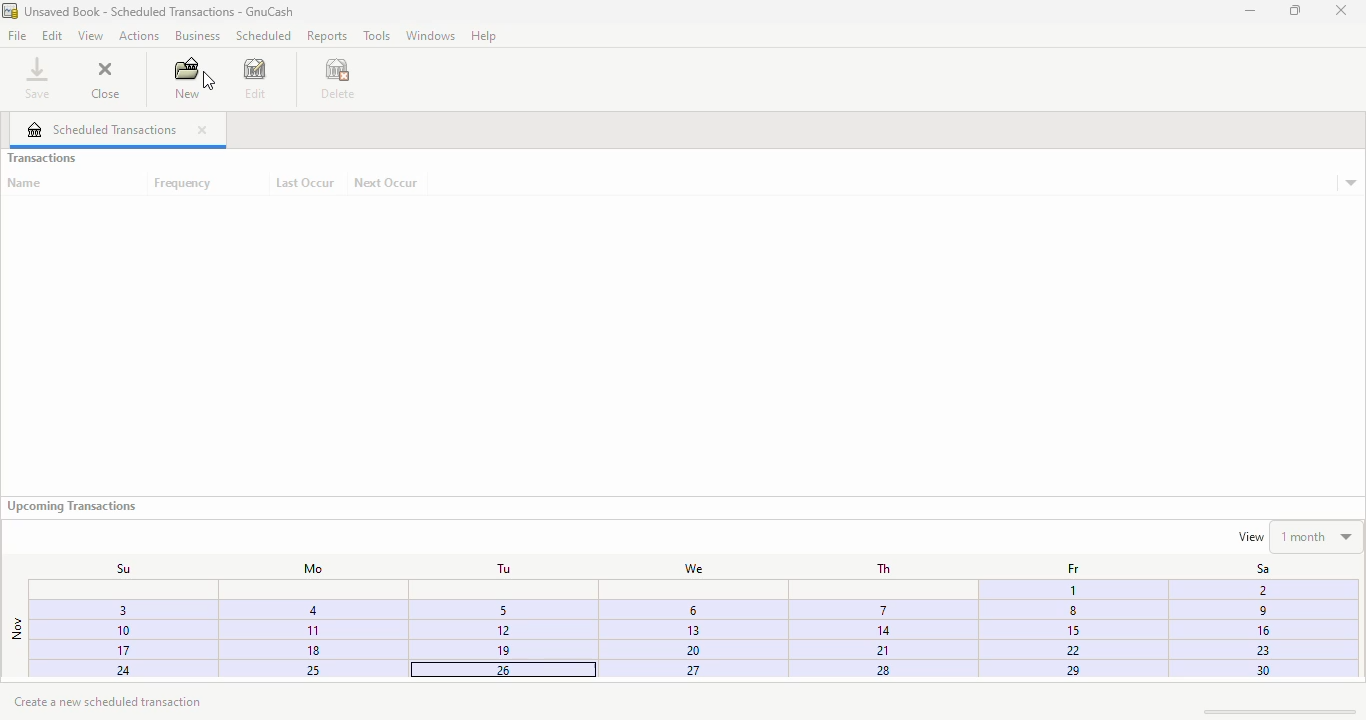  Describe the element at coordinates (339, 78) in the screenshot. I see `delete` at that location.